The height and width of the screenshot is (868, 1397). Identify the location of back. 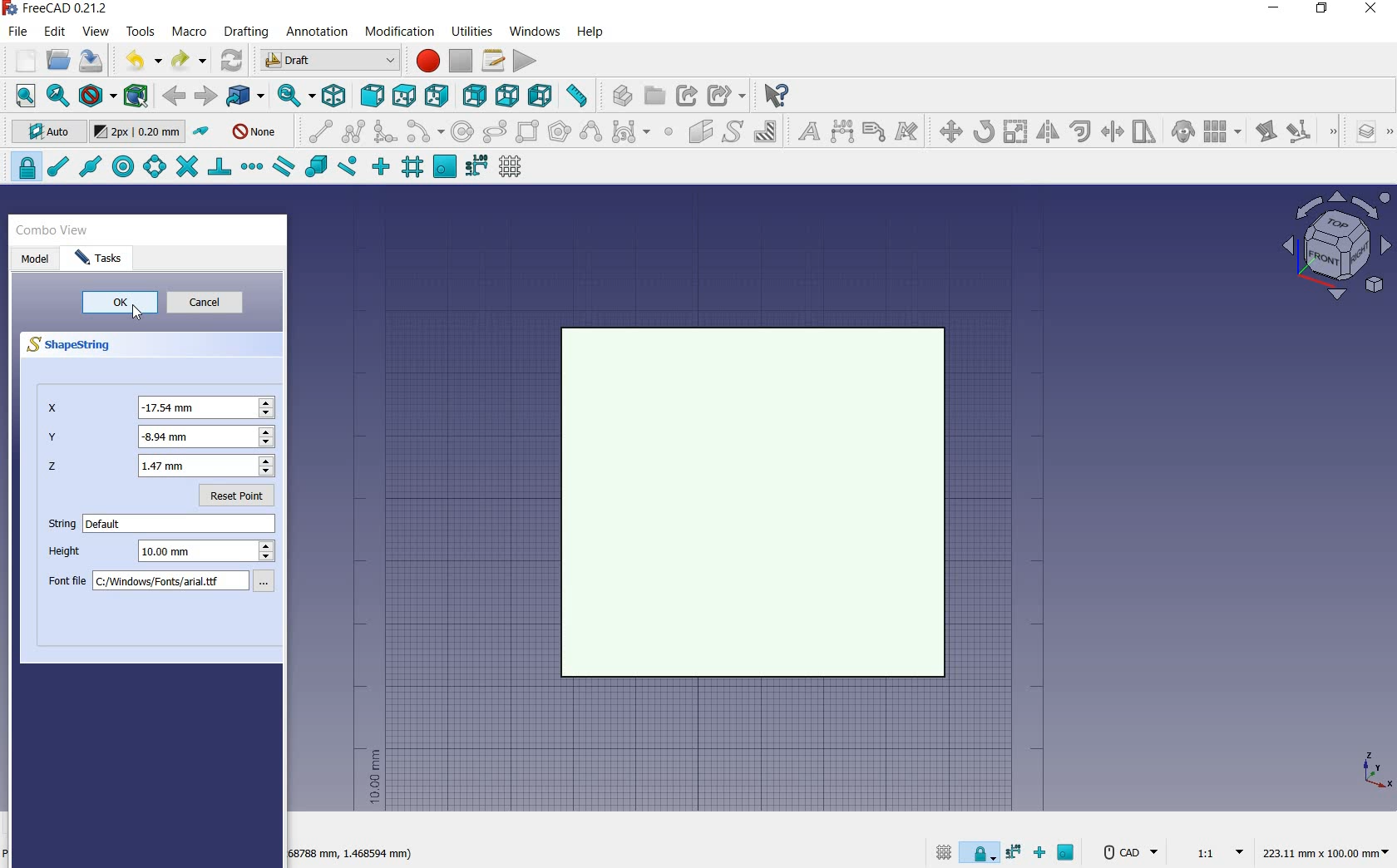
(175, 96).